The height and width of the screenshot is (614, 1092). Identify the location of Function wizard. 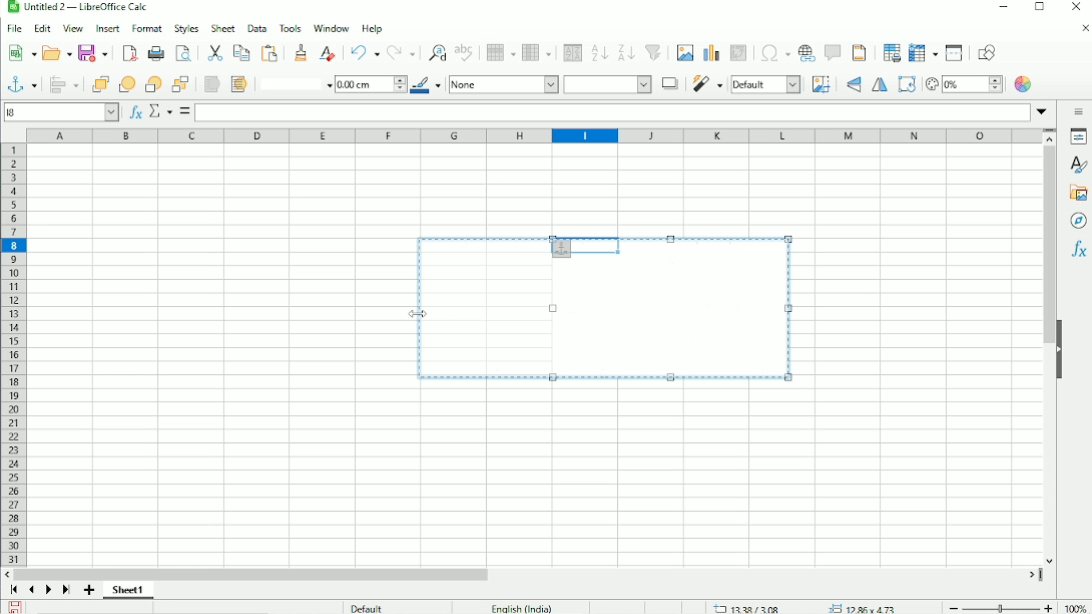
(133, 112).